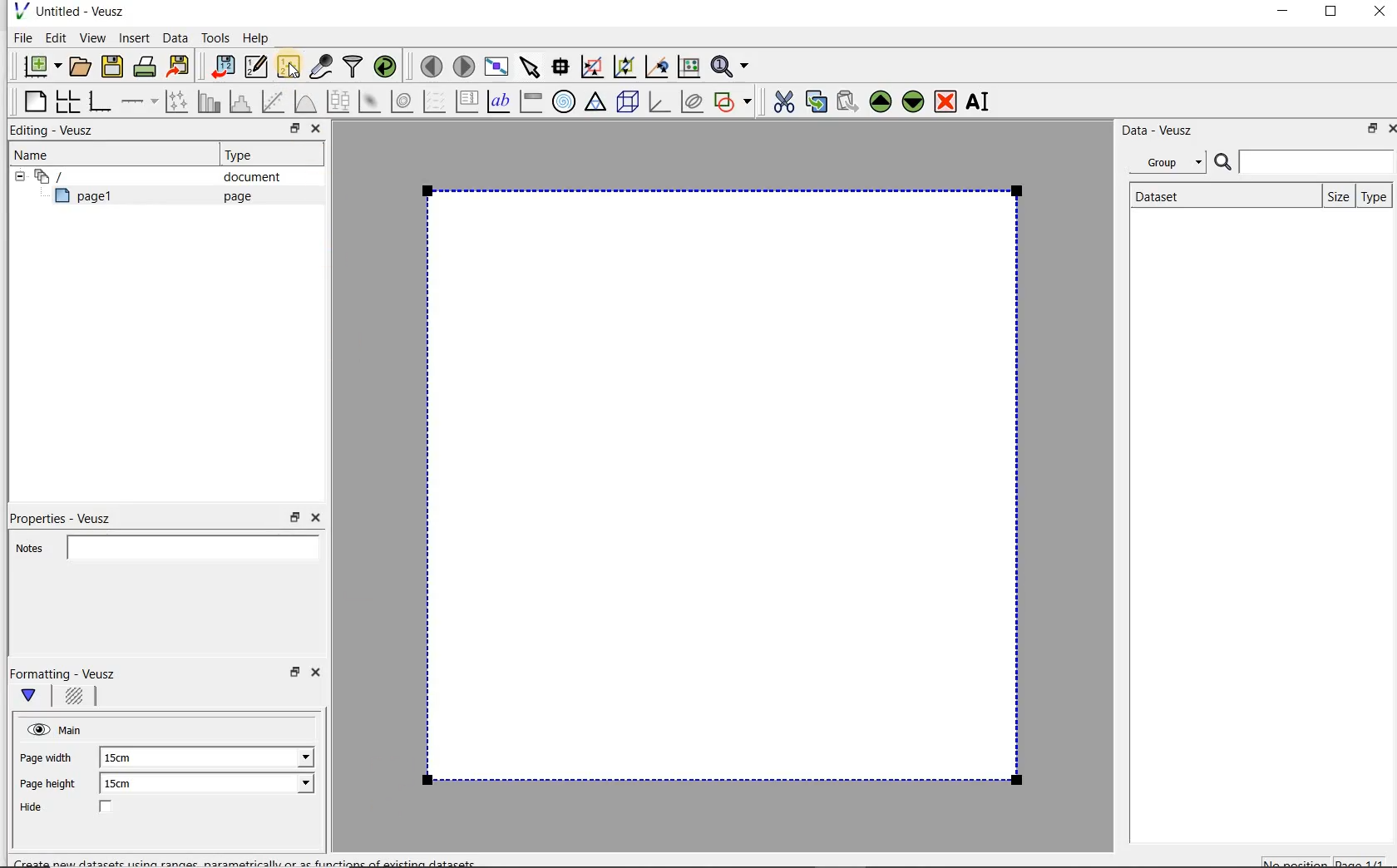 This screenshot has height=868, width=1397. What do you see at coordinates (388, 67) in the screenshot?
I see `reload linked datasets` at bounding box center [388, 67].